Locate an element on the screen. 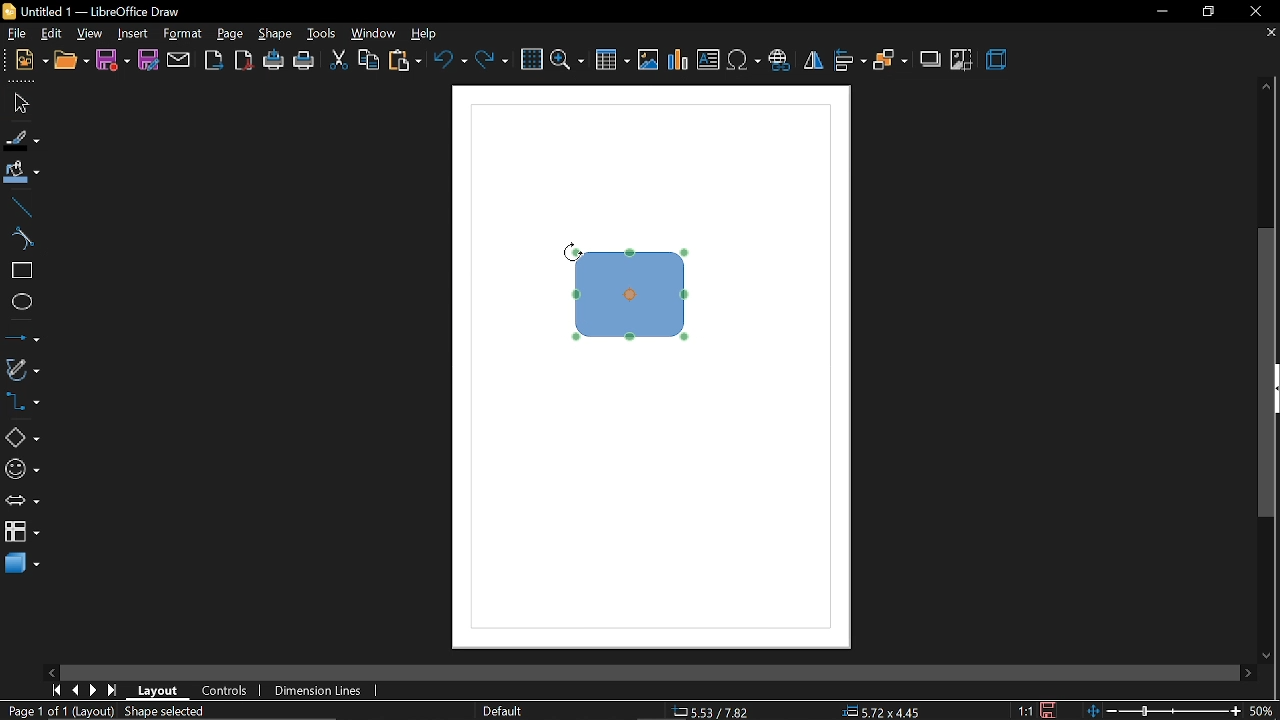 The image size is (1280, 720). align is located at coordinates (851, 62).